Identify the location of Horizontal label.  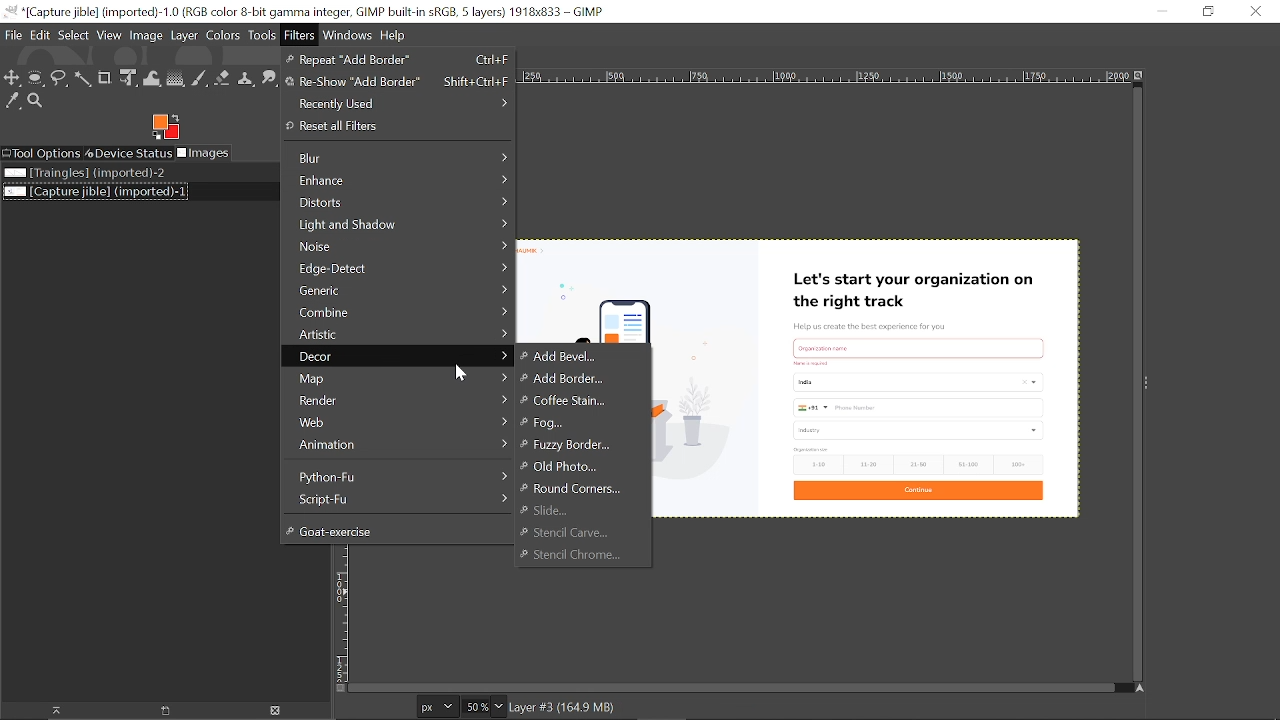
(827, 77).